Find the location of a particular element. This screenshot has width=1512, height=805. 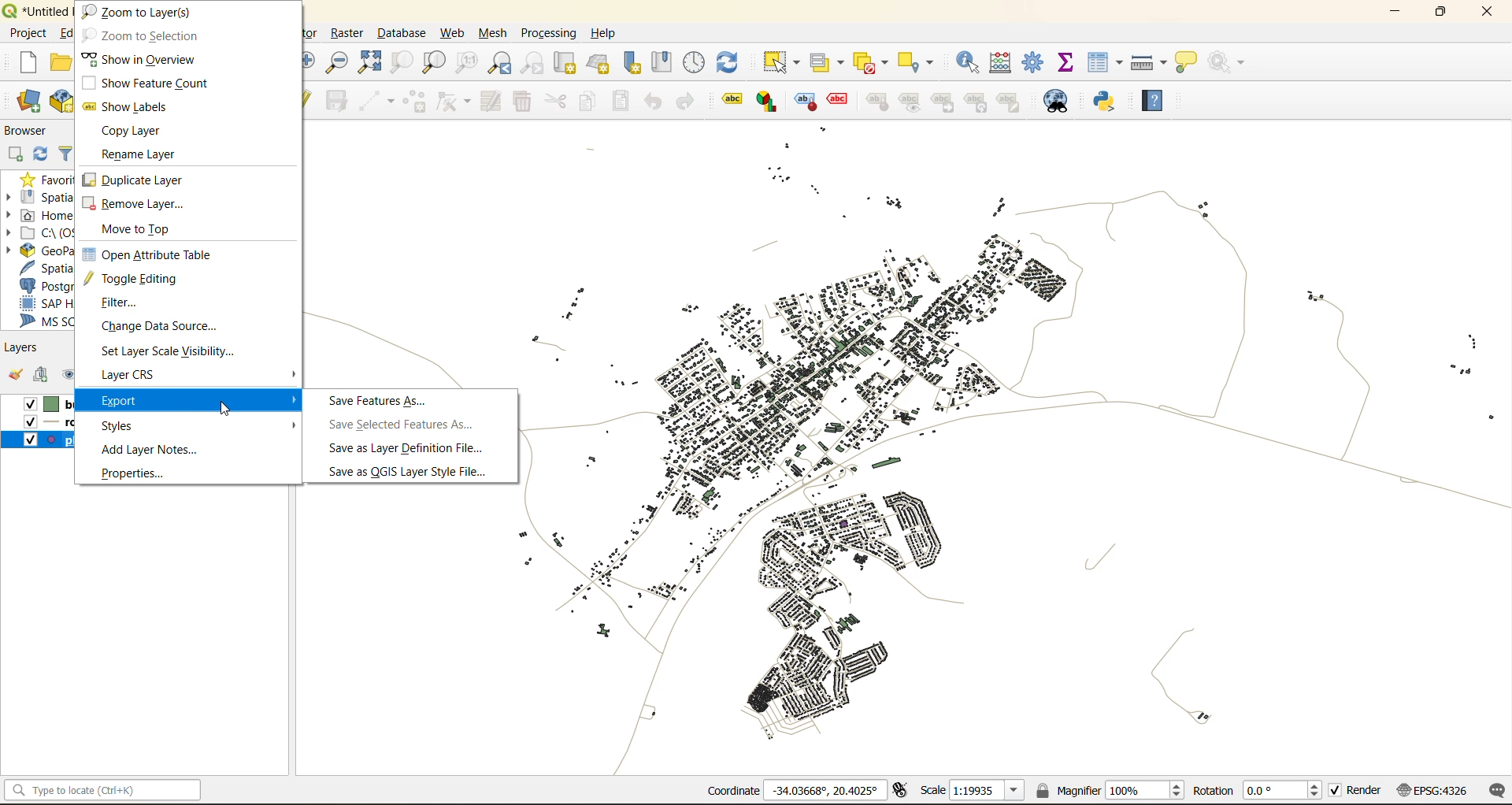

redo is located at coordinates (684, 101).